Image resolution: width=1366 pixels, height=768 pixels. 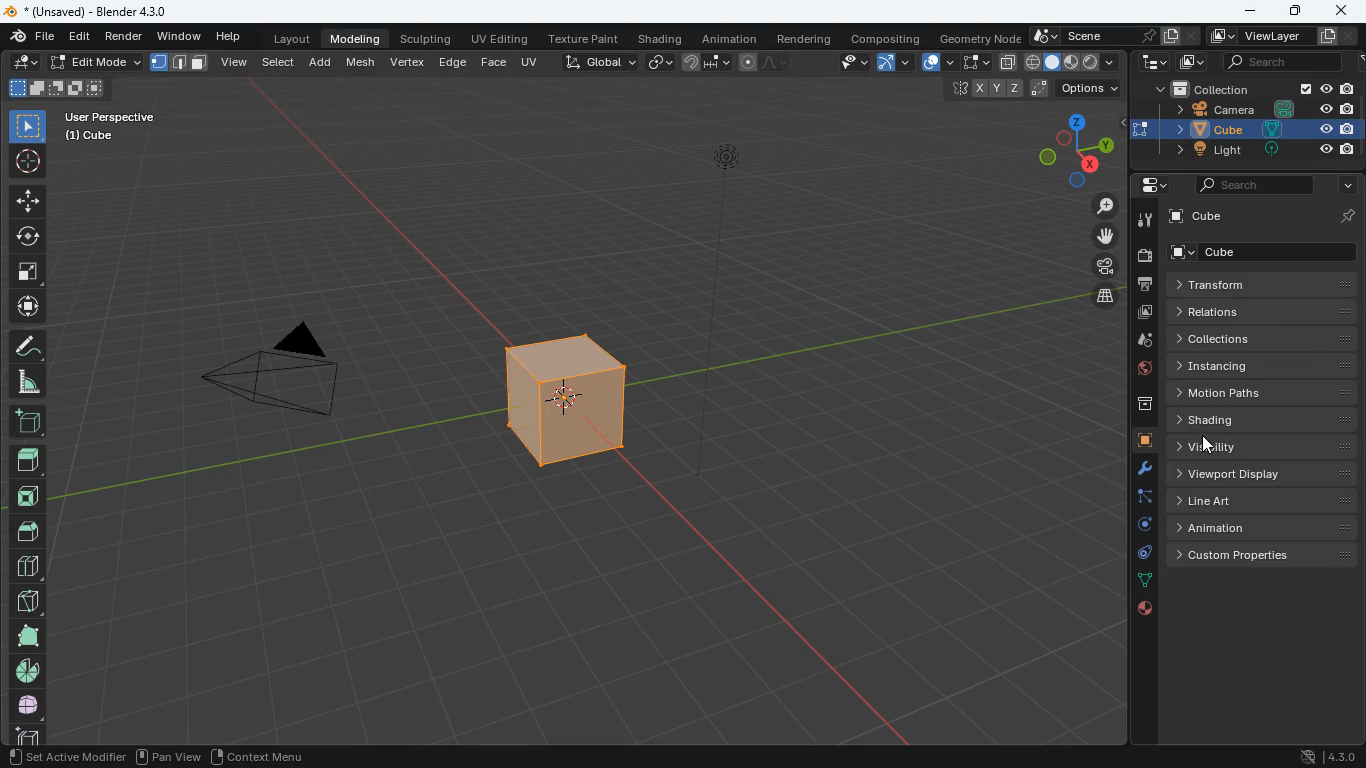 What do you see at coordinates (1136, 369) in the screenshot?
I see `globe` at bounding box center [1136, 369].